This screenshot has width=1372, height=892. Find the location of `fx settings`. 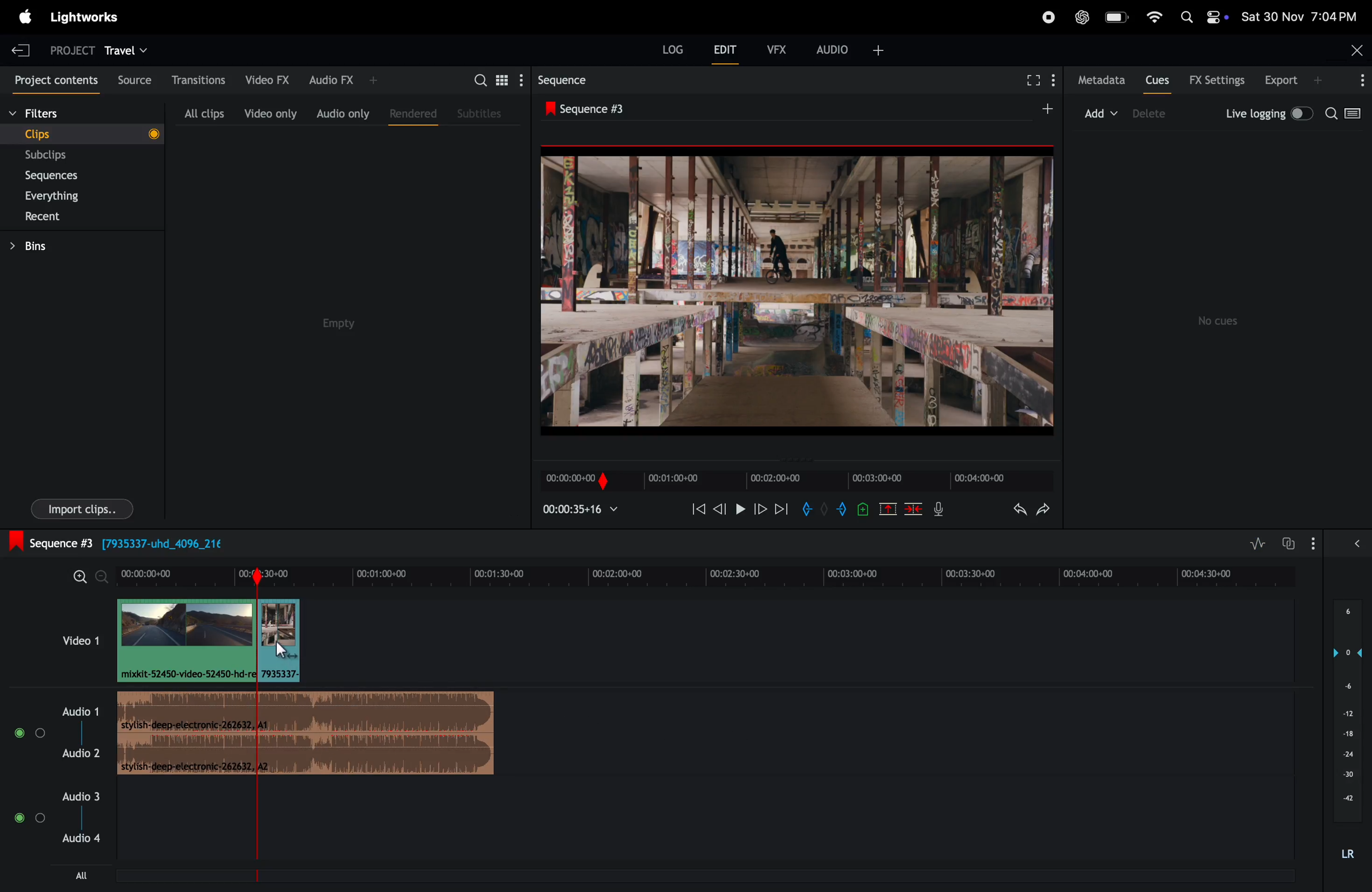

fx settings is located at coordinates (1217, 80).